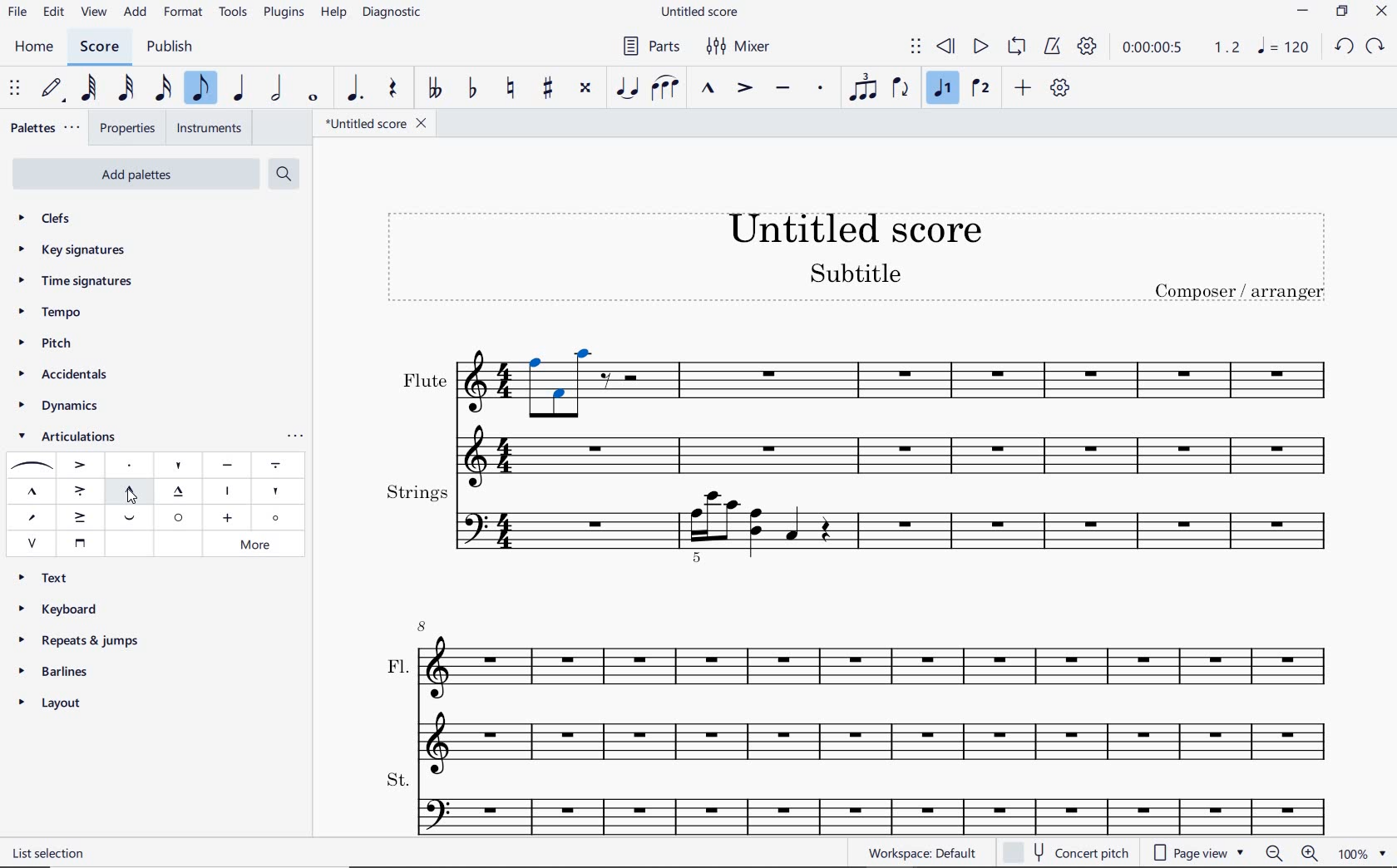 This screenshot has width=1397, height=868. What do you see at coordinates (285, 14) in the screenshot?
I see `PLUGINS` at bounding box center [285, 14].